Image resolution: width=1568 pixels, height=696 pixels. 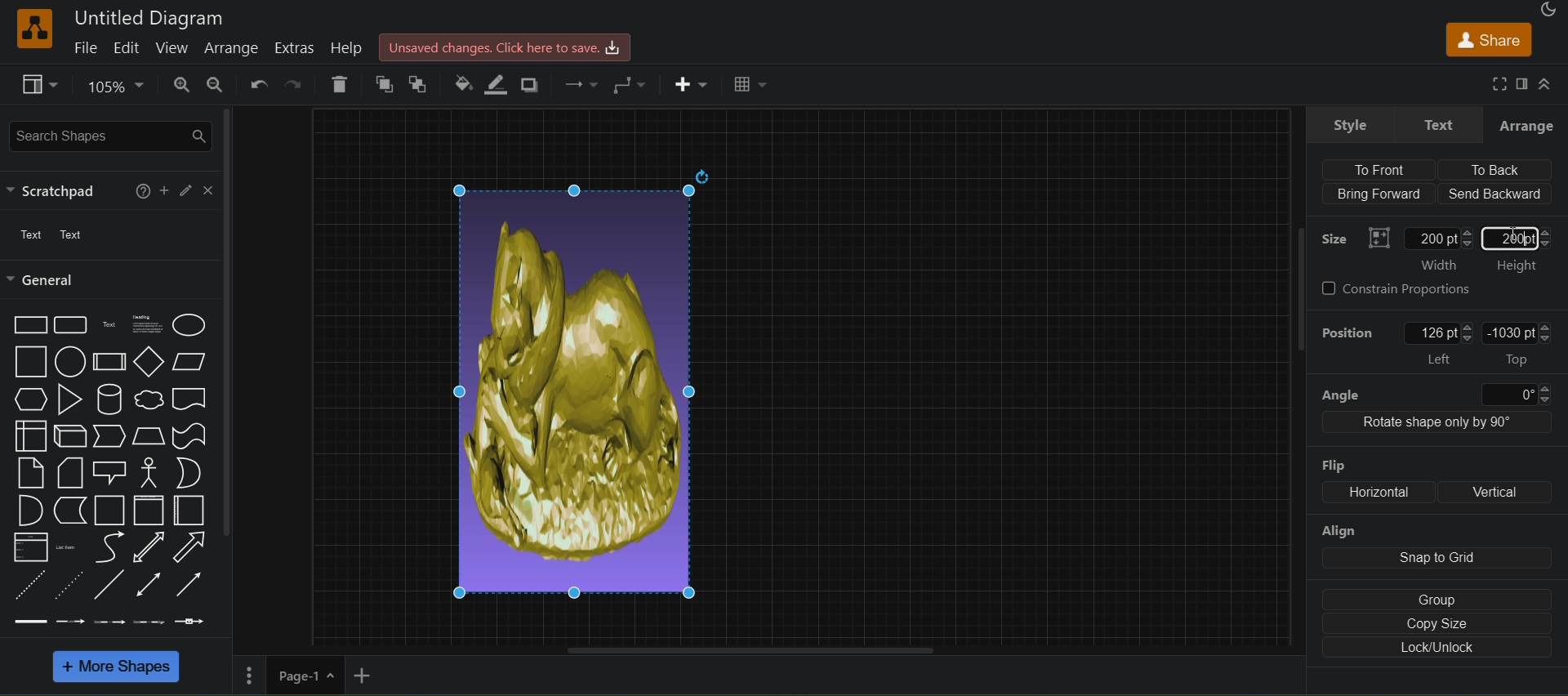 What do you see at coordinates (257, 86) in the screenshot?
I see `undo` at bounding box center [257, 86].